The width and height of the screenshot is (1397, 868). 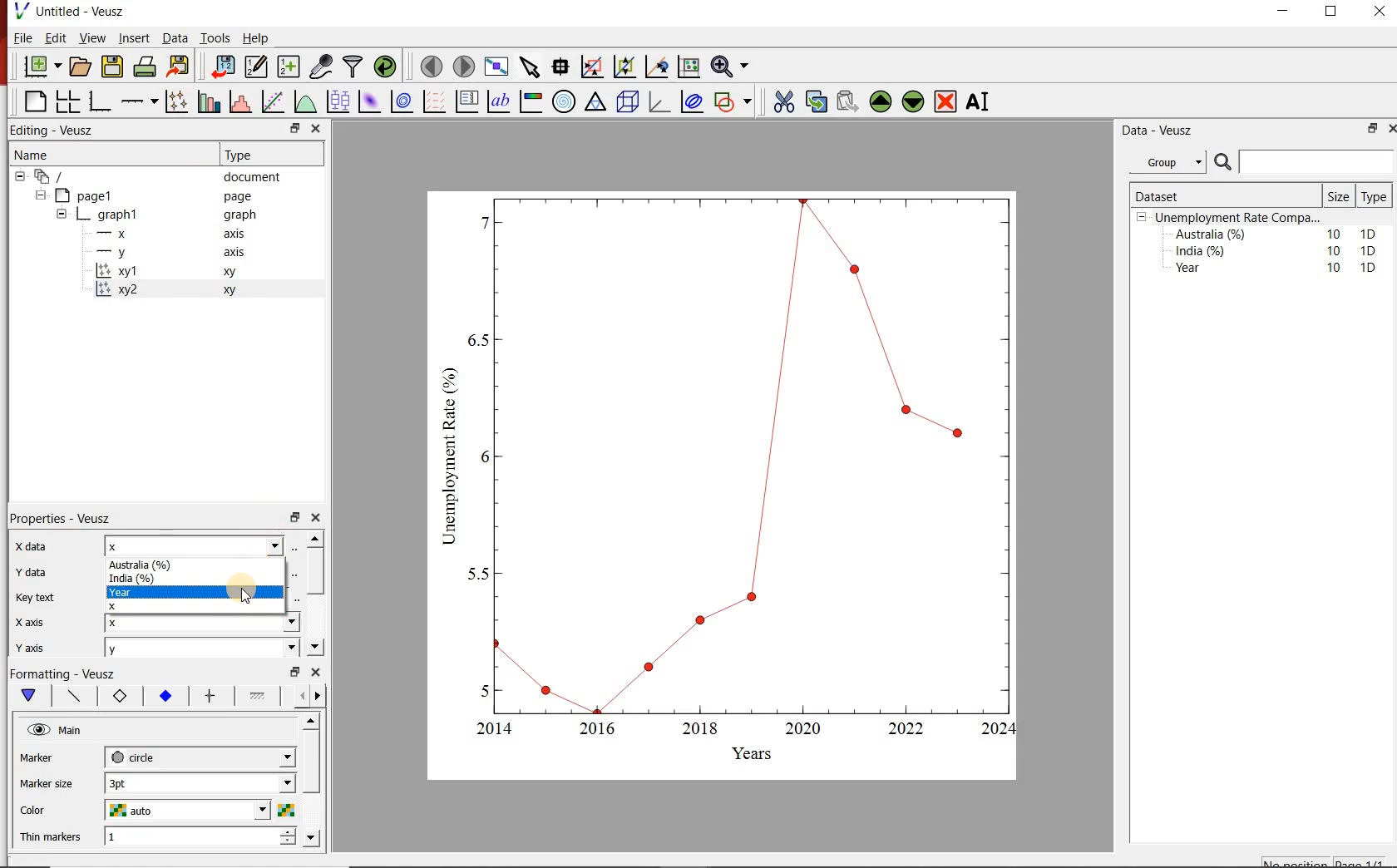 What do you see at coordinates (625, 65) in the screenshot?
I see `click to zoom out graph axes` at bounding box center [625, 65].